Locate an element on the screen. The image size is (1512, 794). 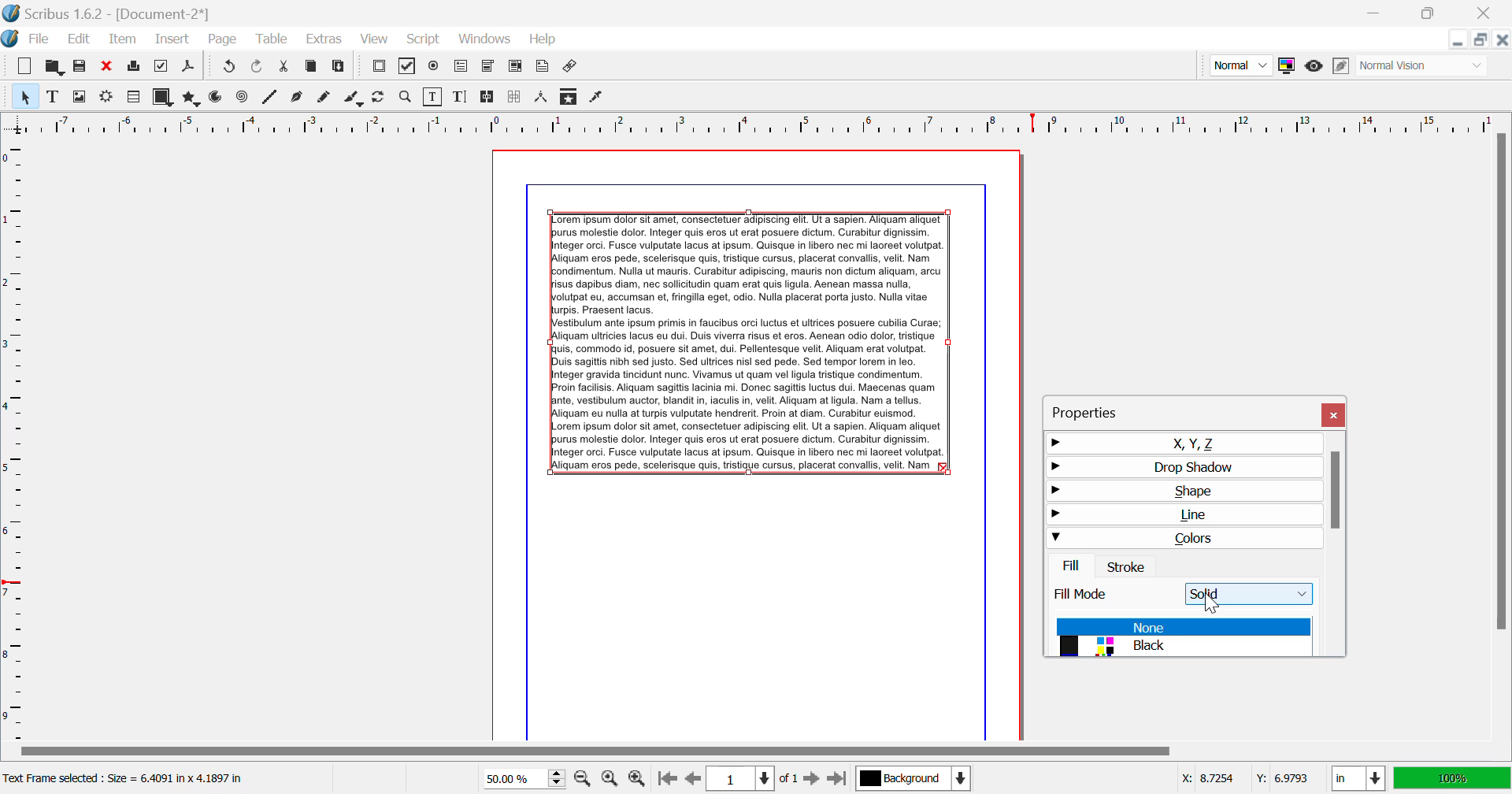
Colors Tab Open is located at coordinates (1186, 553).